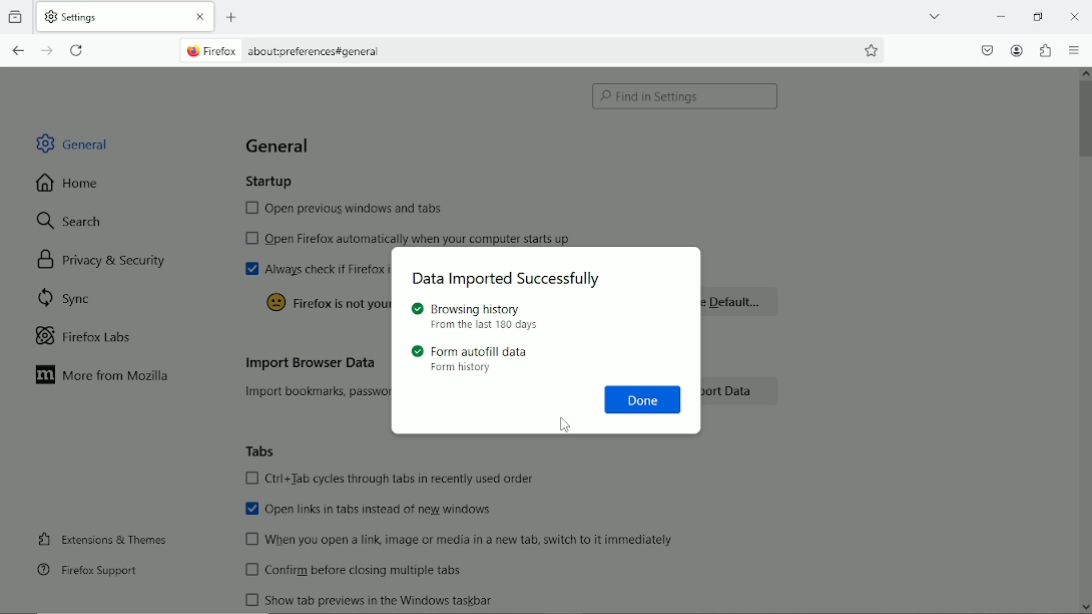 The image size is (1092, 614). What do you see at coordinates (15, 16) in the screenshot?
I see `View recent browsing` at bounding box center [15, 16].